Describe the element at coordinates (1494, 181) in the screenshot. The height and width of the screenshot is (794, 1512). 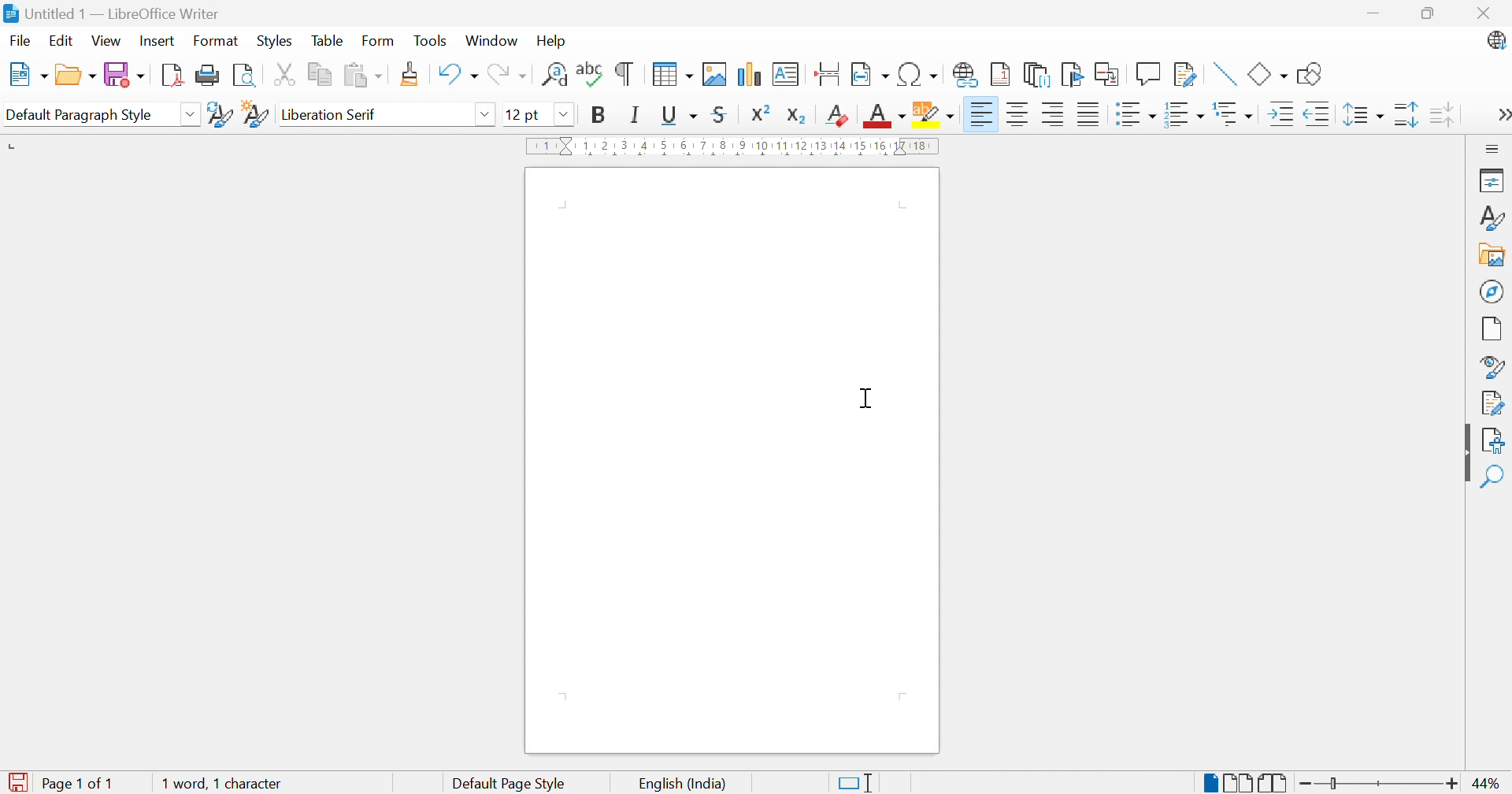
I see `Properties` at that location.